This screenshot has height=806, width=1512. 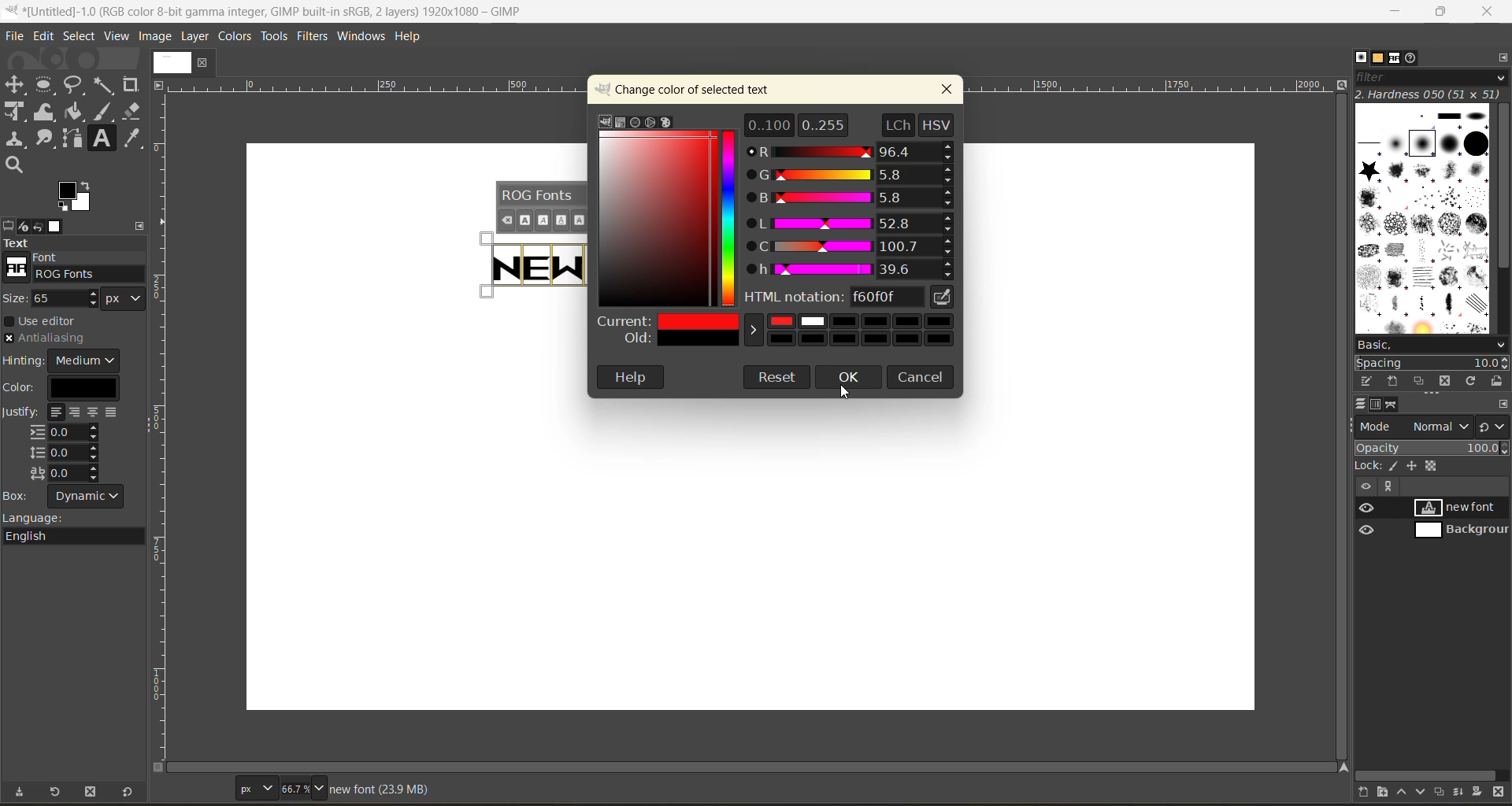 I want to click on help, so click(x=631, y=377).